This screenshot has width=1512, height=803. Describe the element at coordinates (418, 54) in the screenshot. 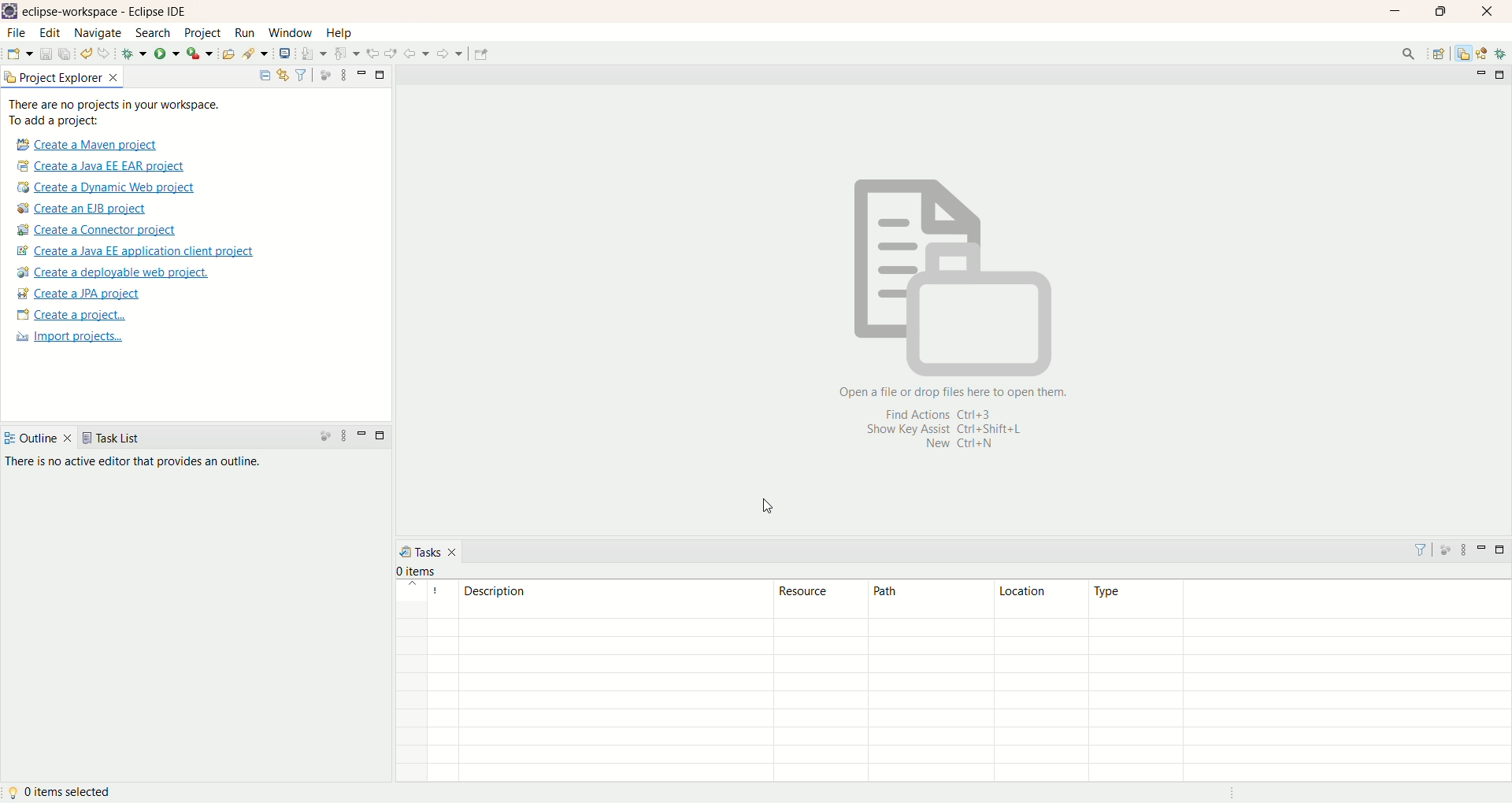

I see `back` at that location.